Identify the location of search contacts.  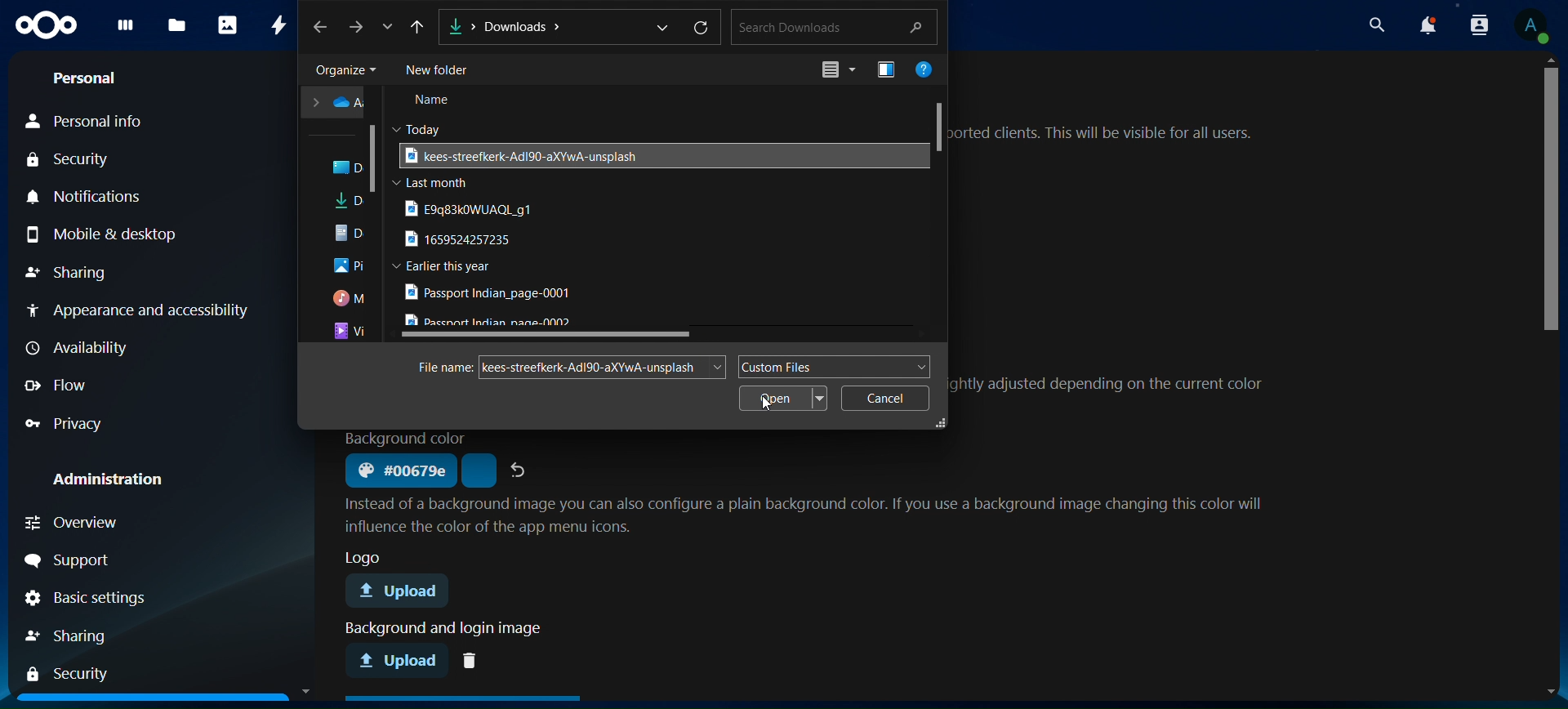
(1477, 27).